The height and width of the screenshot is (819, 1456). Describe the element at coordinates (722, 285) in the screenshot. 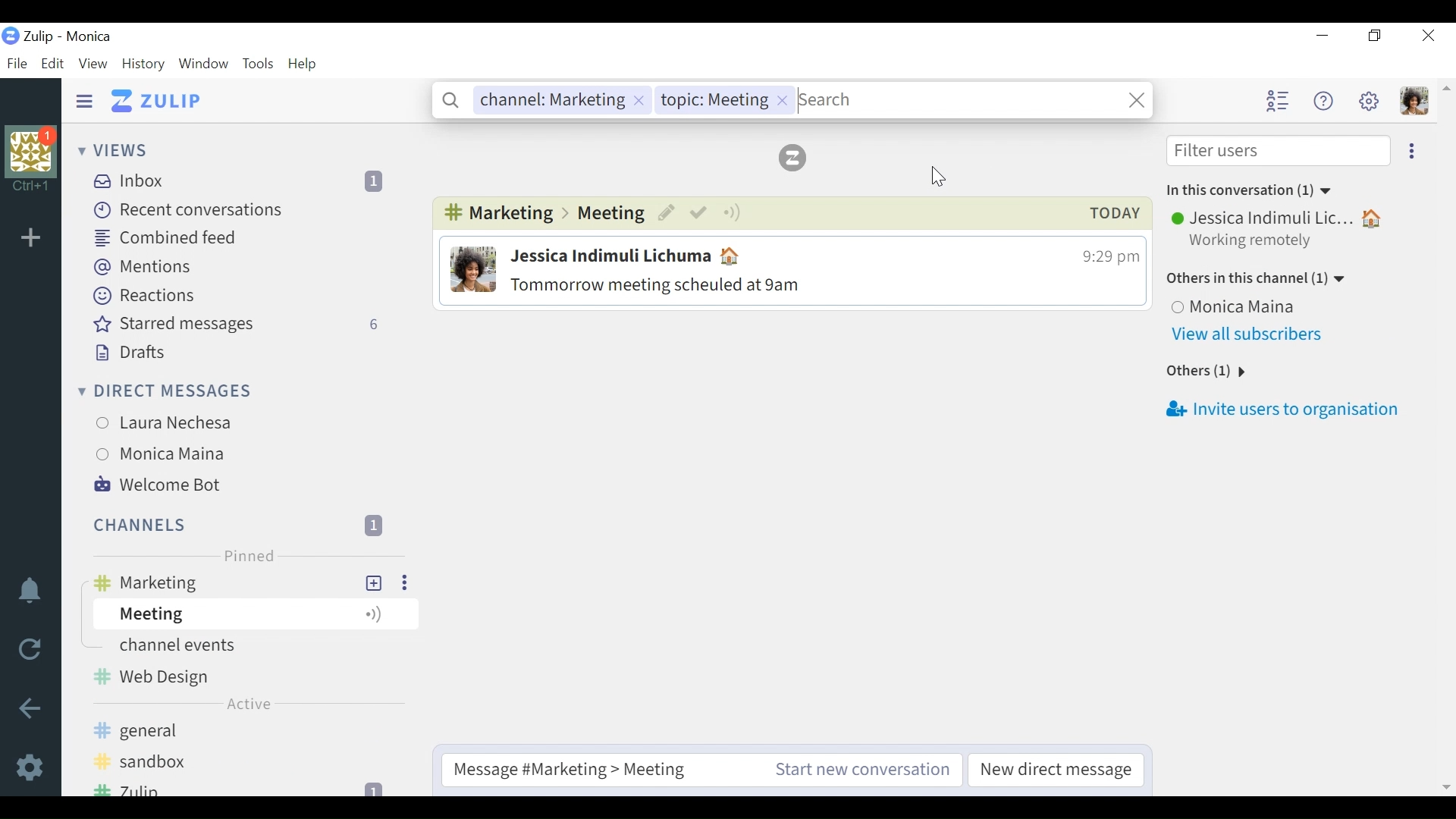

I see `Tommorrow meeting scheuled at 9am` at that location.